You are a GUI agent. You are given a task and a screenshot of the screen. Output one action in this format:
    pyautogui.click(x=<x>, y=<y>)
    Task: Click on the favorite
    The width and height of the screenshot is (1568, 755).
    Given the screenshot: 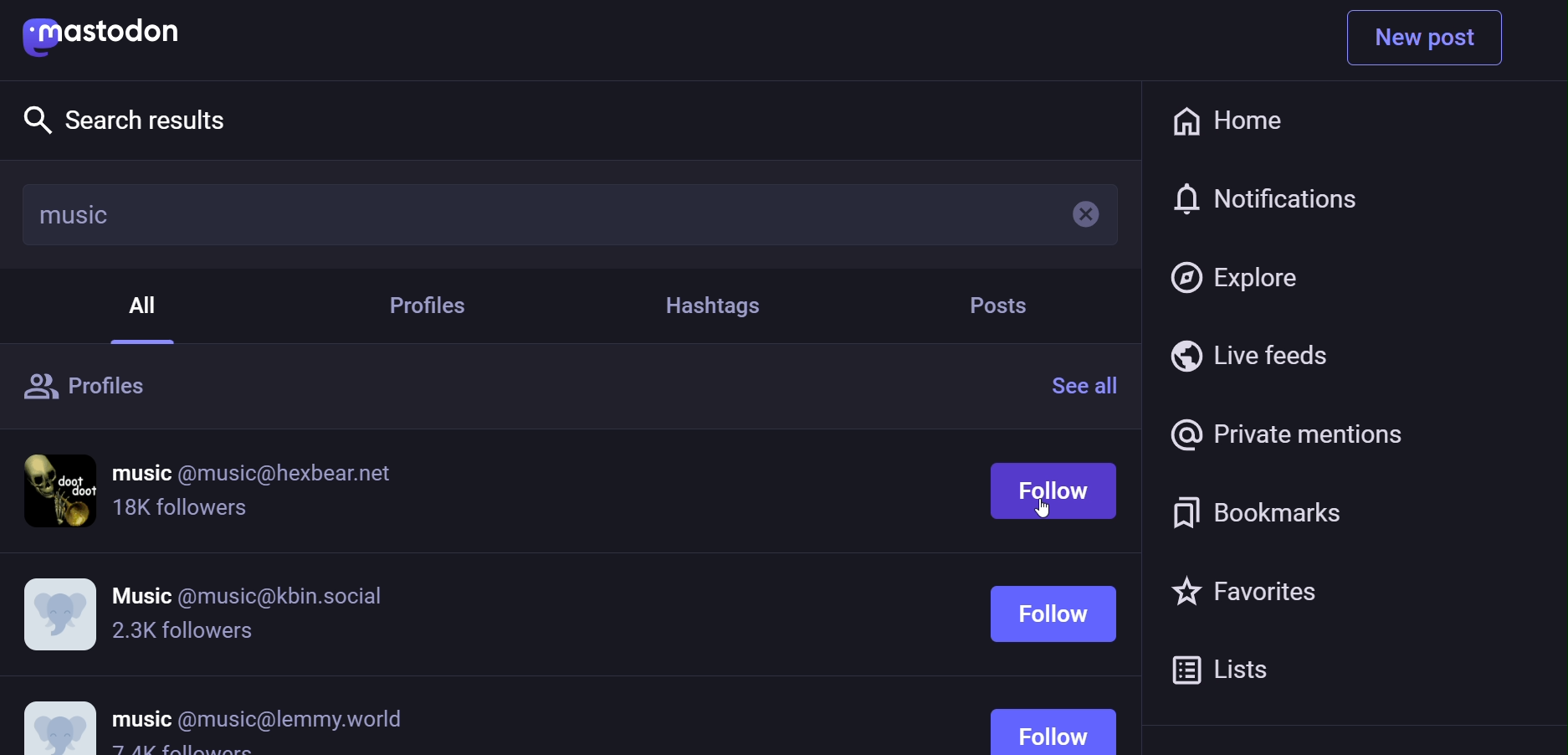 What is the action you would take?
    pyautogui.click(x=1237, y=593)
    